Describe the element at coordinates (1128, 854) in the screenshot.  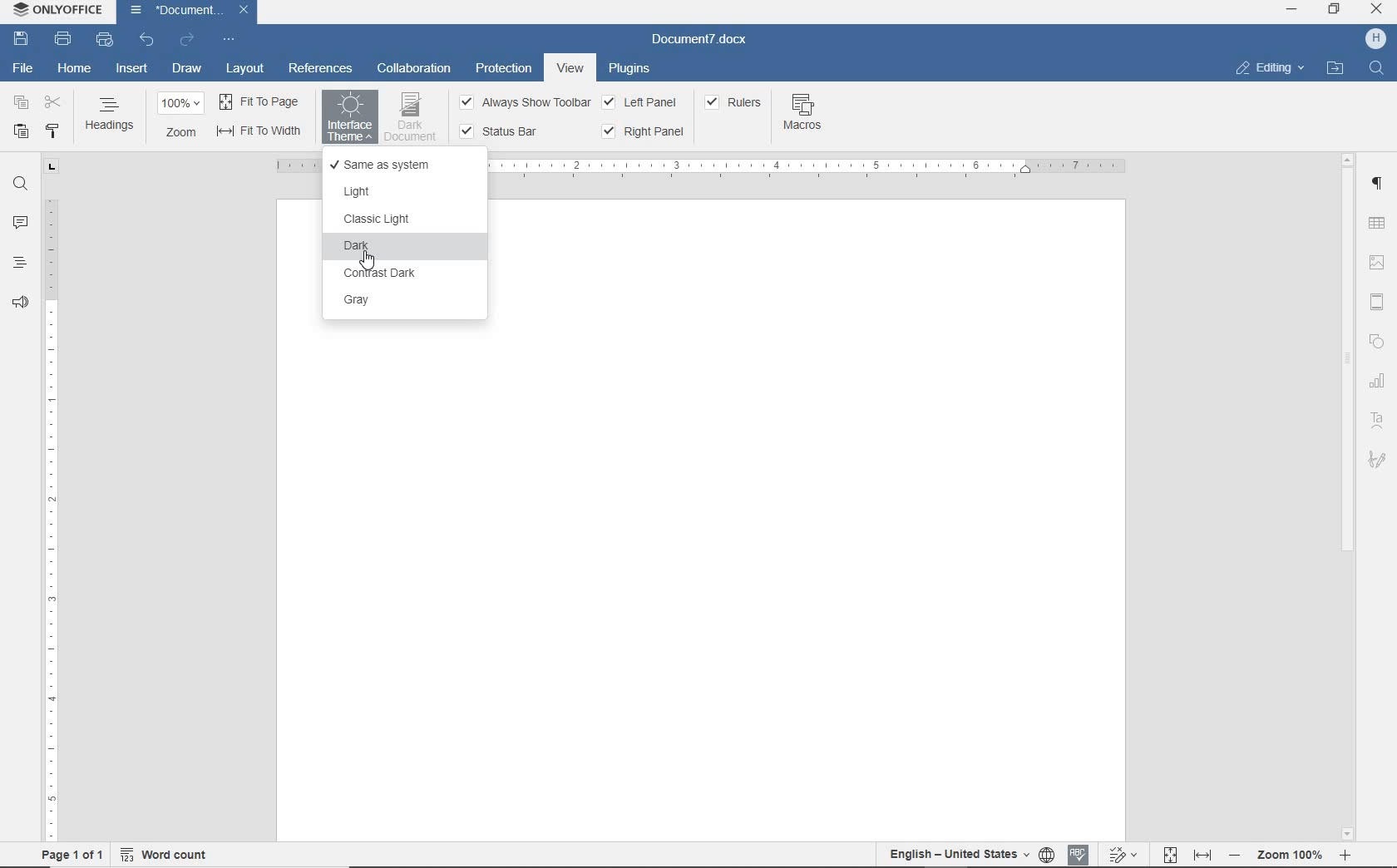
I see `TRACK CHANGES` at that location.